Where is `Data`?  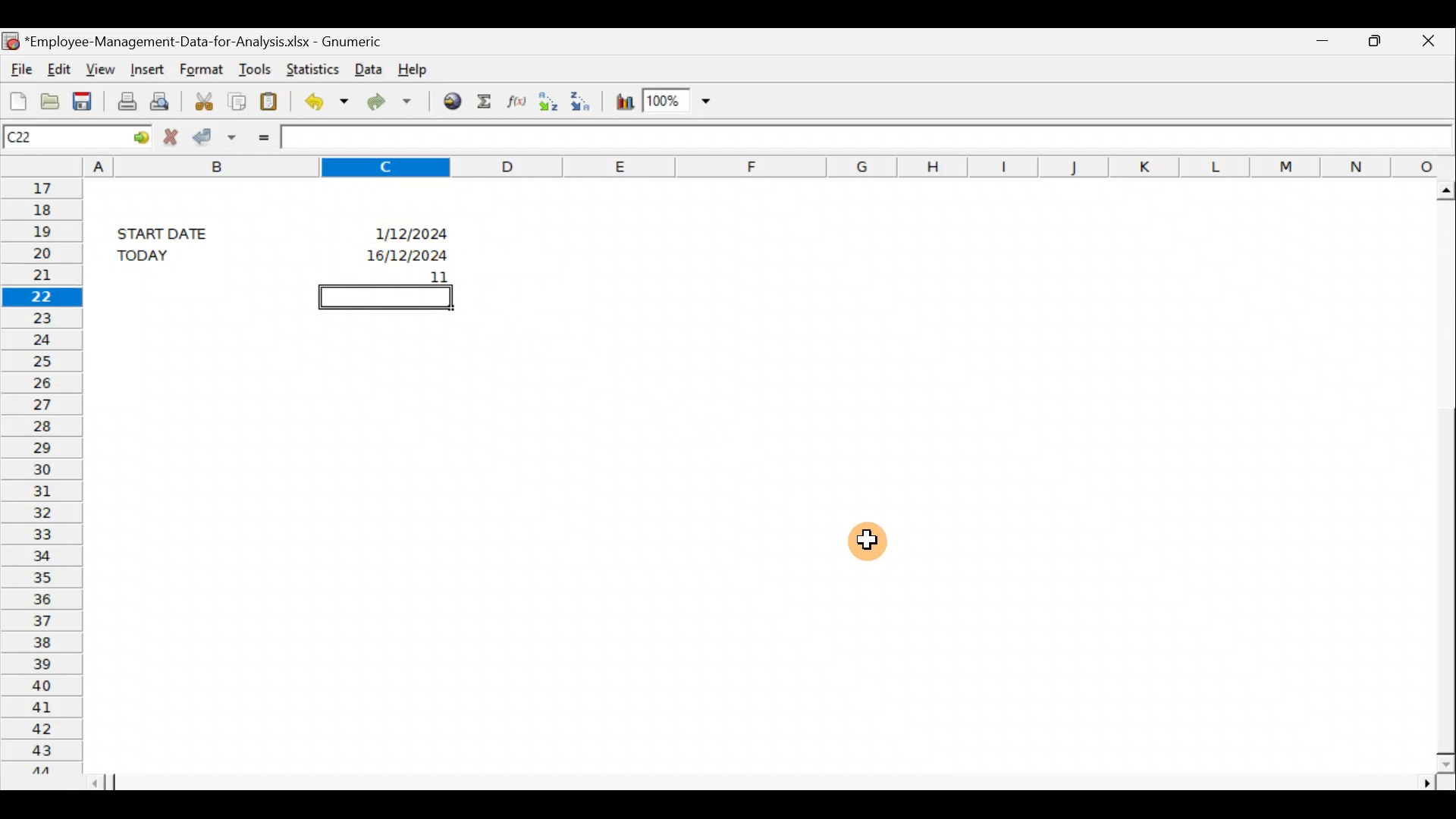
Data is located at coordinates (367, 70).